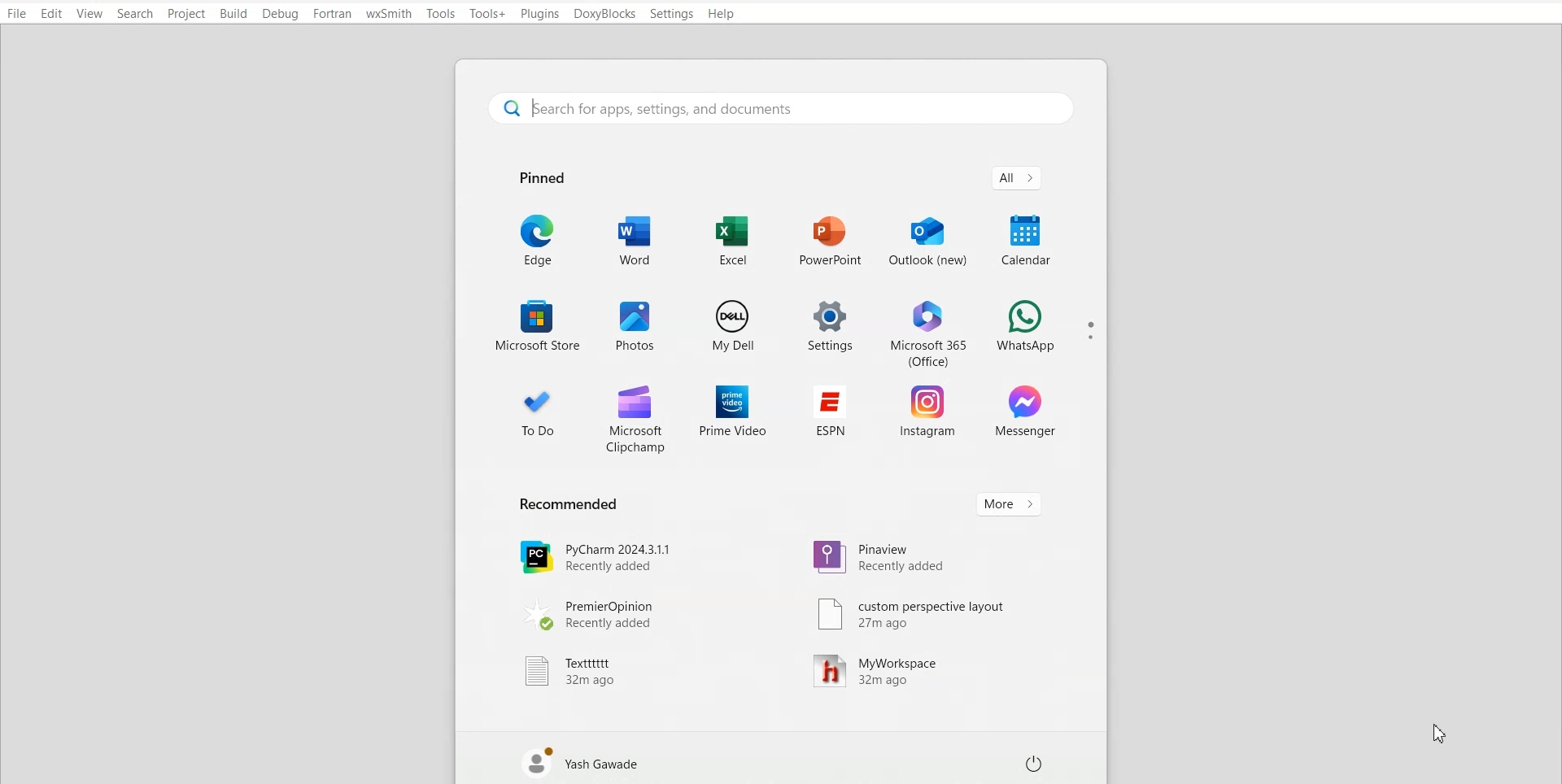 Image resolution: width=1562 pixels, height=784 pixels. I want to click on PremierOpinion, so click(590, 615).